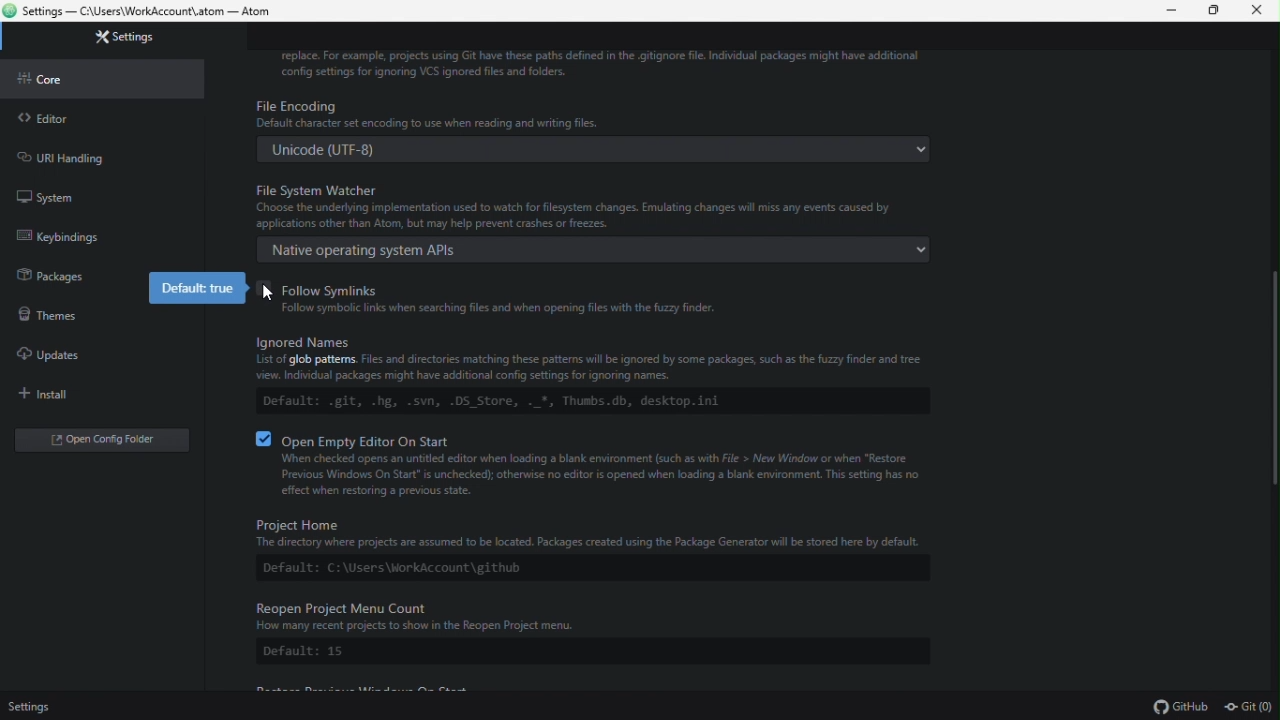 This screenshot has height=720, width=1280. What do you see at coordinates (37, 706) in the screenshot?
I see `Settings` at bounding box center [37, 706].